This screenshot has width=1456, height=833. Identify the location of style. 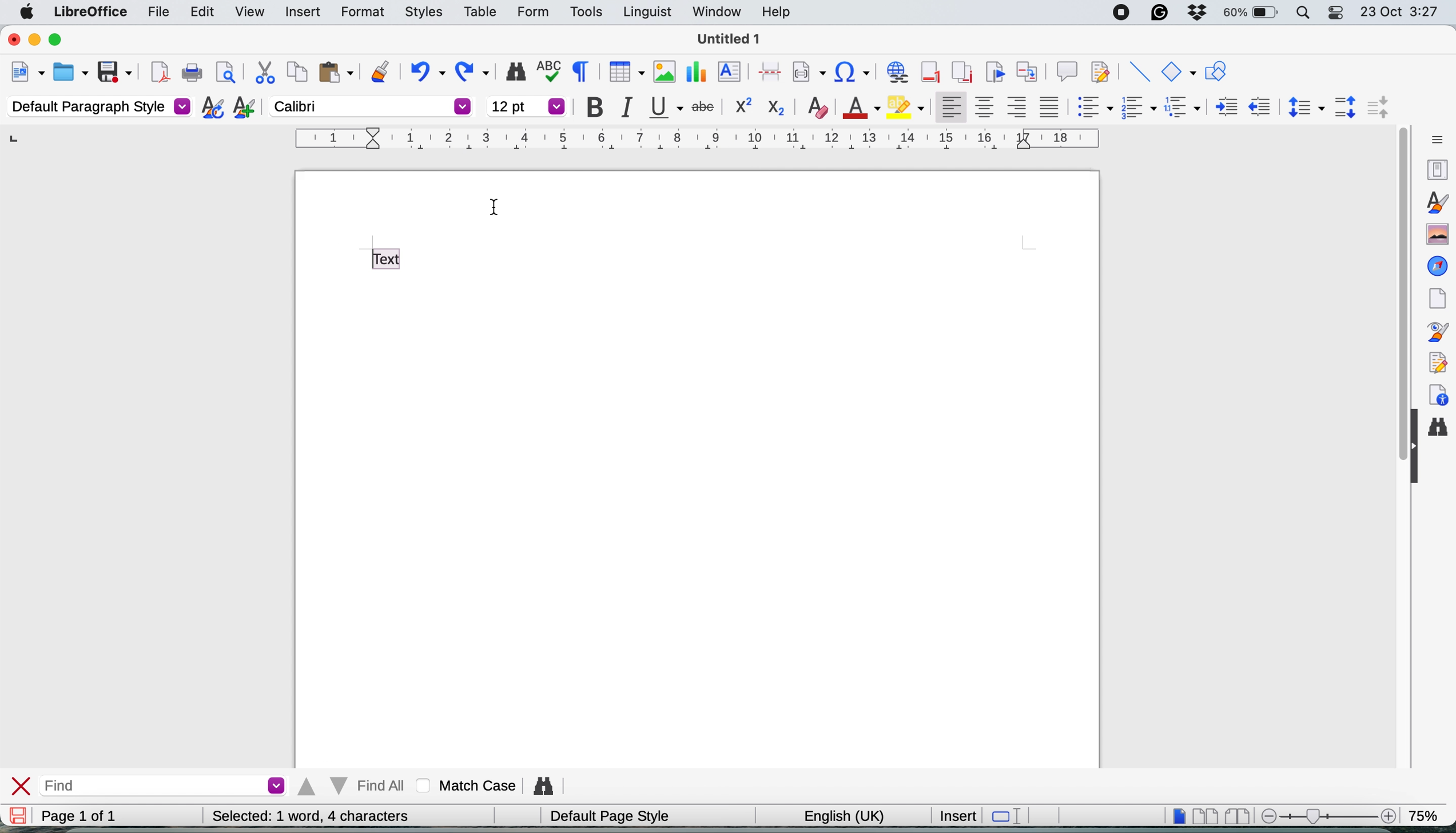
(696, 138).